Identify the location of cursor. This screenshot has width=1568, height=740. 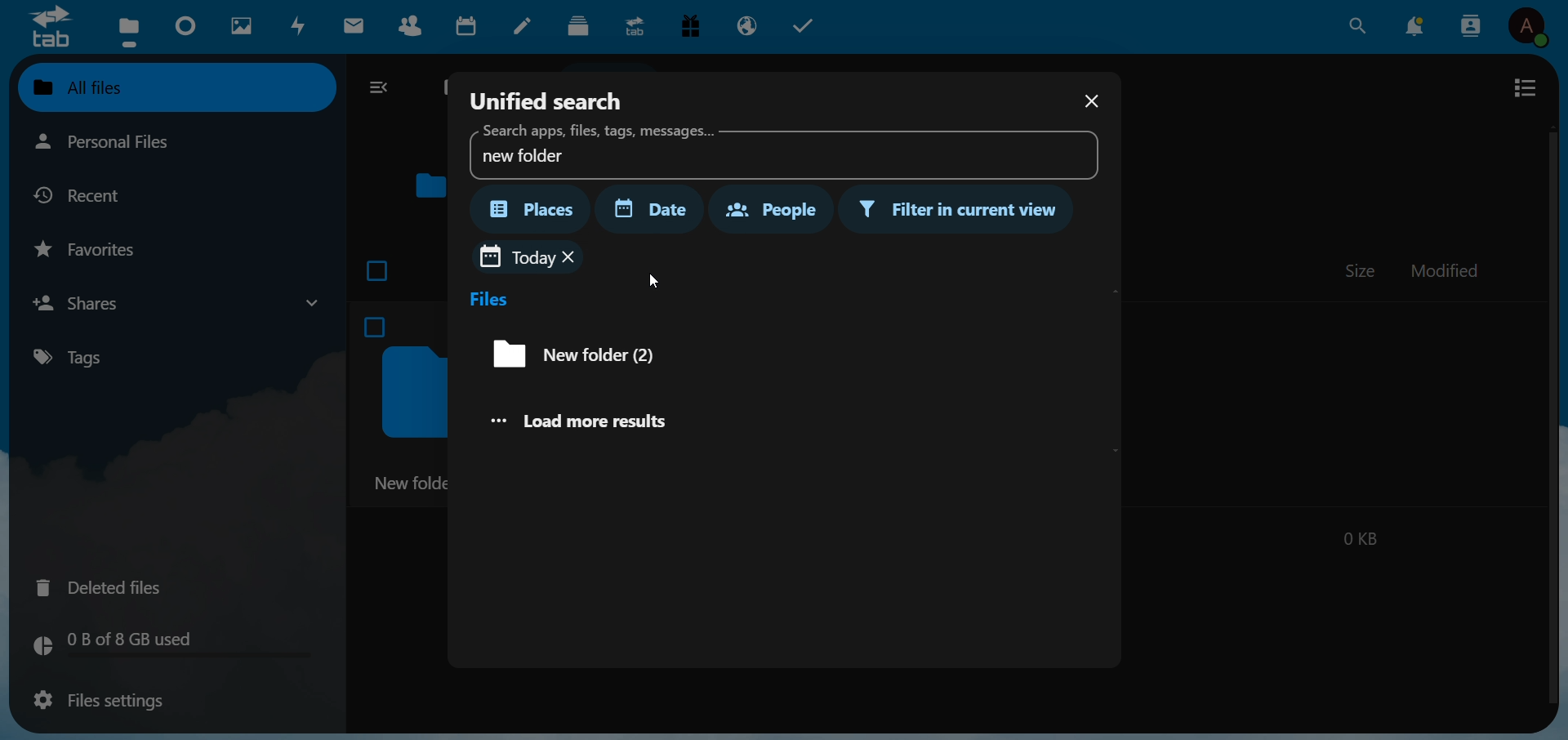
(653, 279).